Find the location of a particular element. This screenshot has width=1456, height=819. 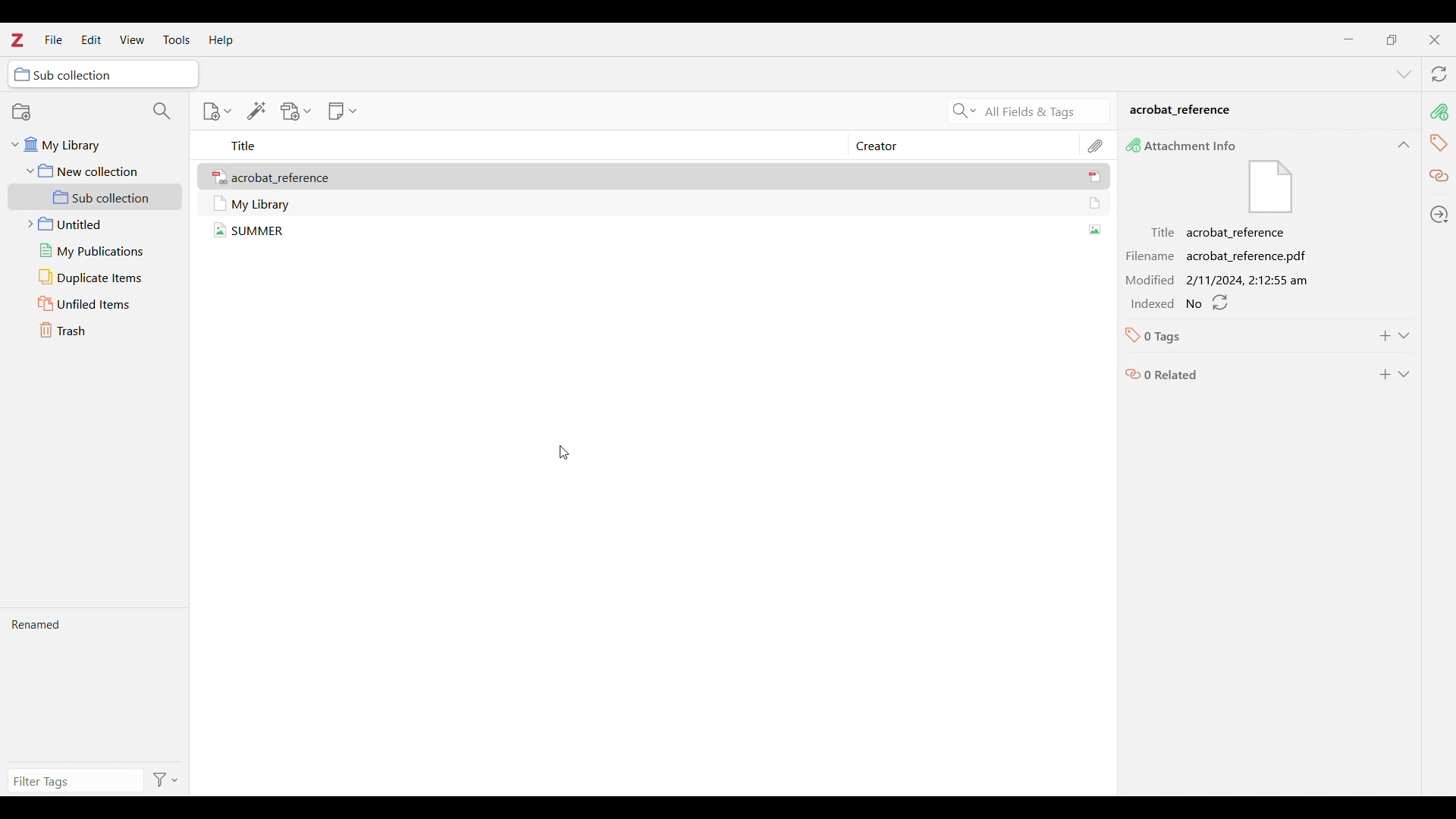

Trash folder is located at coordinates (99, 330).